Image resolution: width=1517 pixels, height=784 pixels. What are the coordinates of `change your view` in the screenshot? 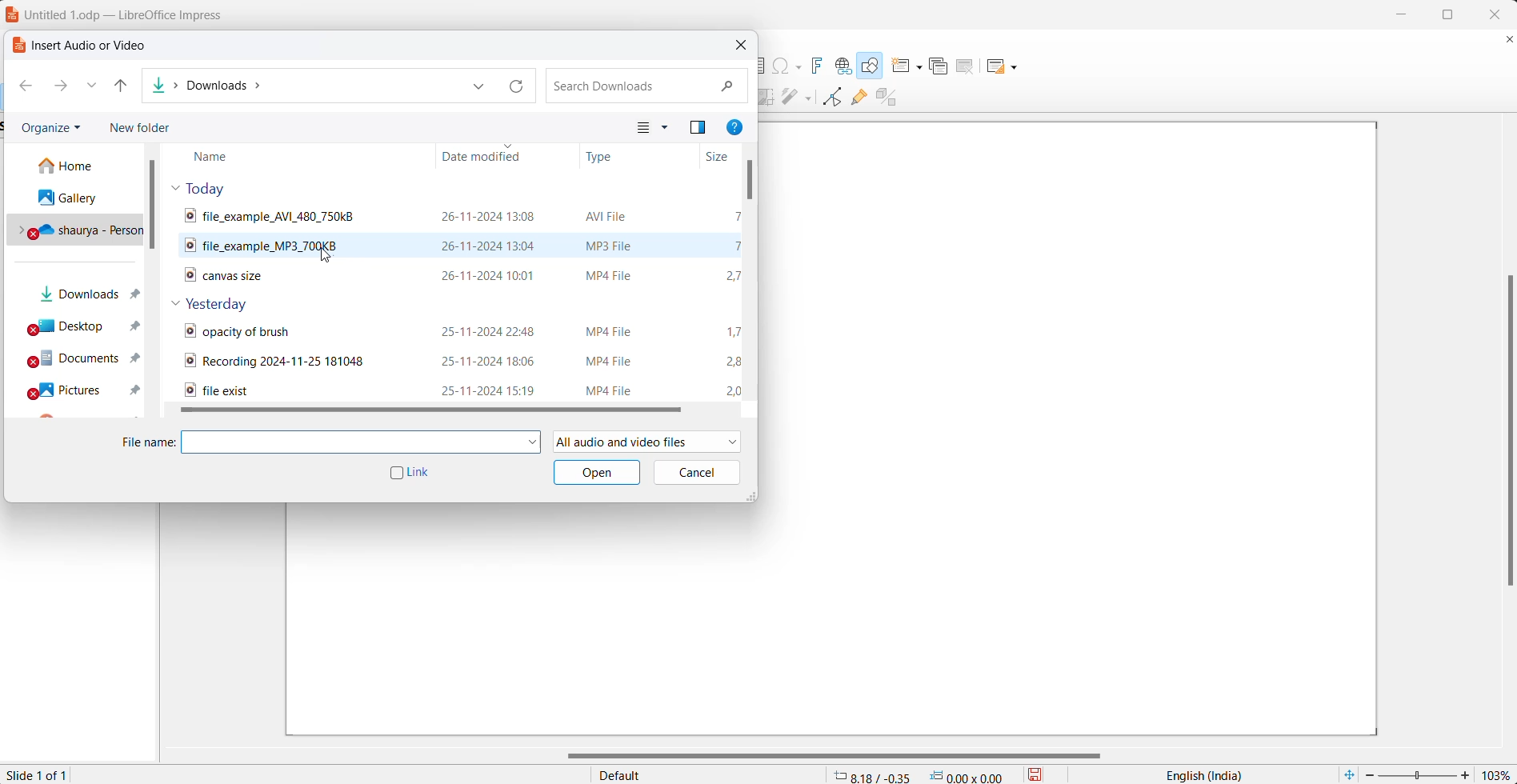 It's located at (641, 129).